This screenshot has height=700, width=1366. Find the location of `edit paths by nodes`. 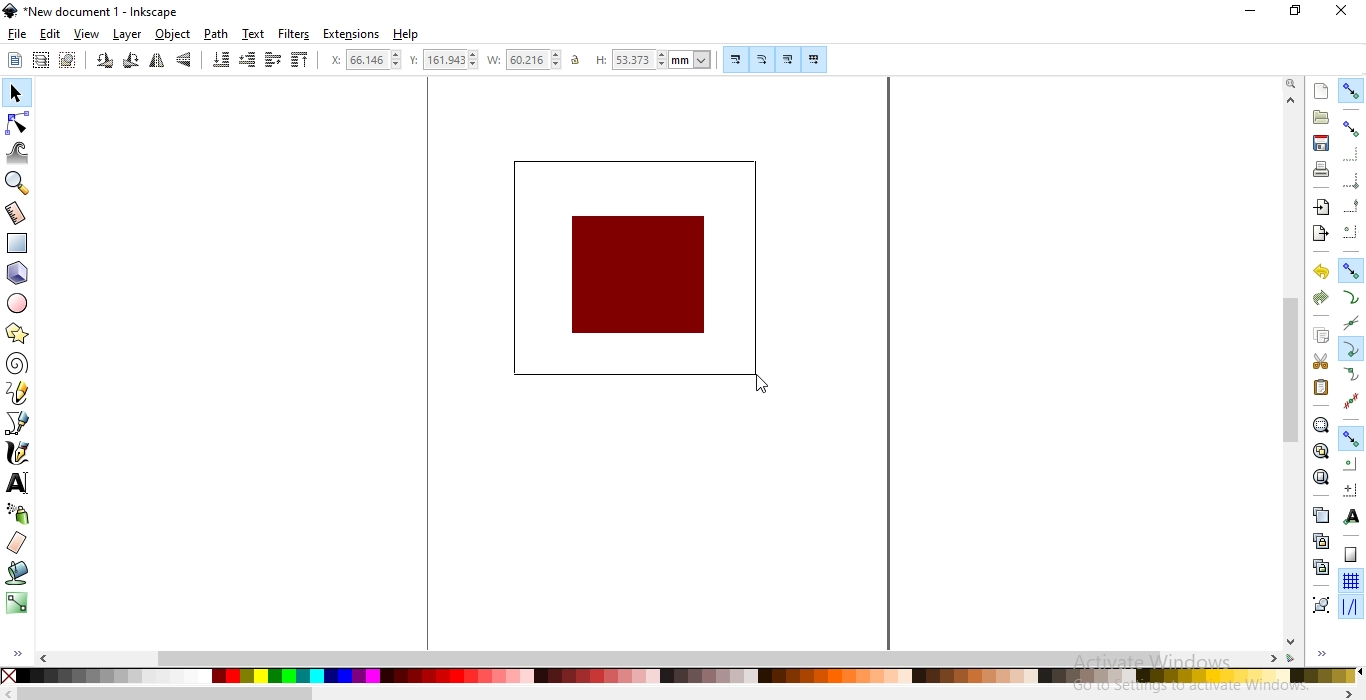

edit paths by nodes is located at coordinates (18, 122).